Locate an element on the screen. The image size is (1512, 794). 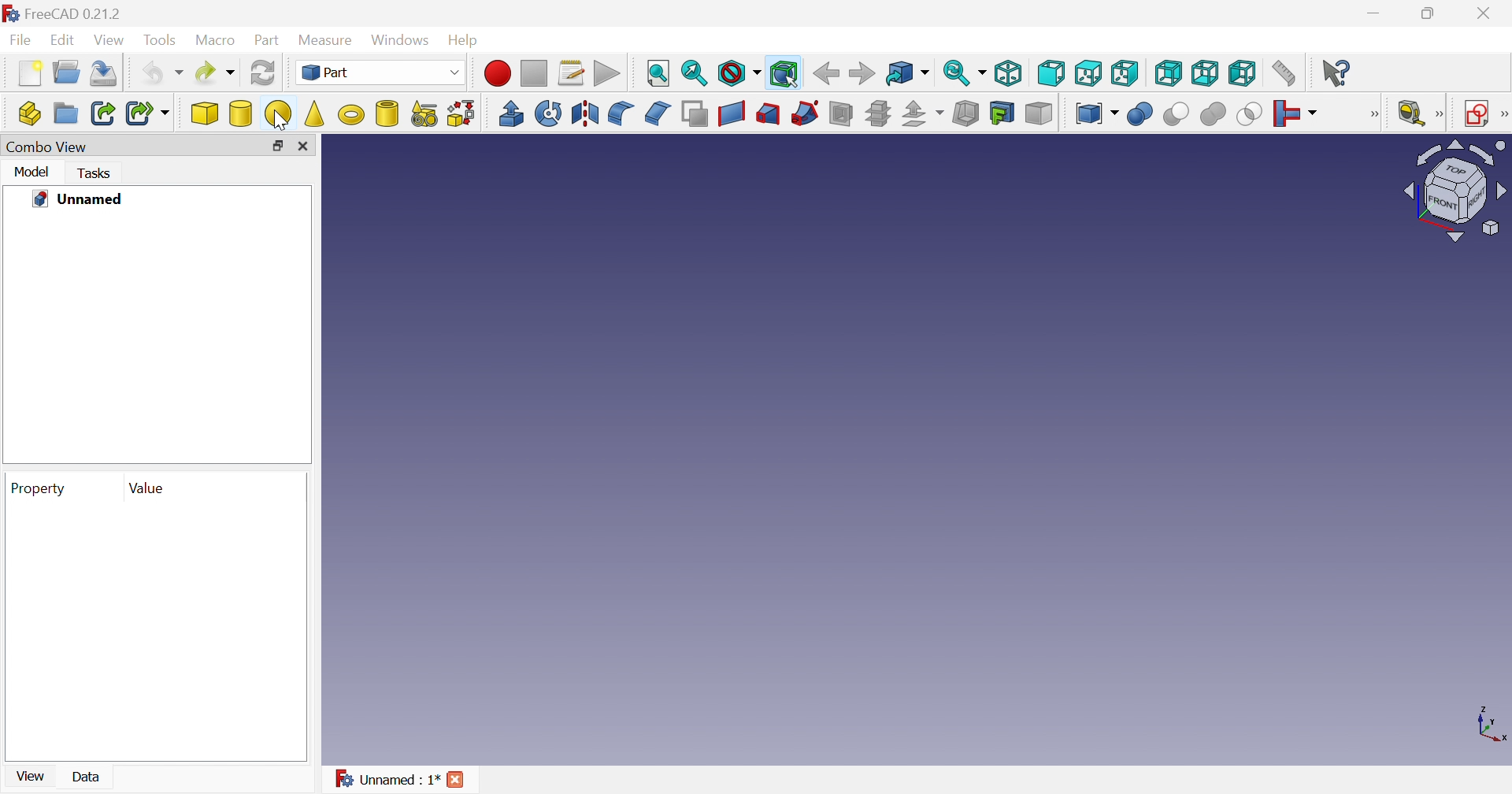
Sync view is located at coordinates (906, 72).